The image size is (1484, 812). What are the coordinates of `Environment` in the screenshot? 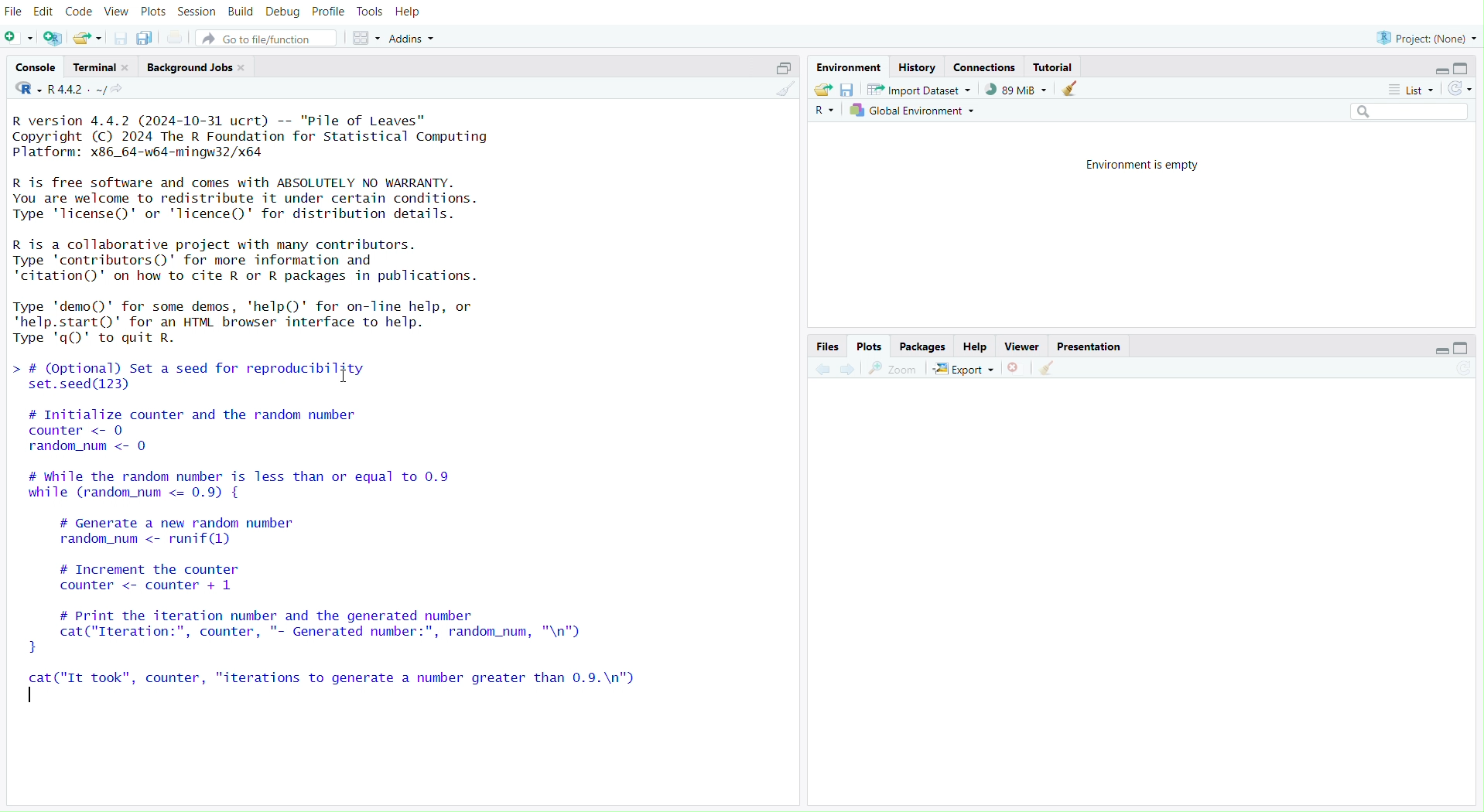 It's located at (850, 64).